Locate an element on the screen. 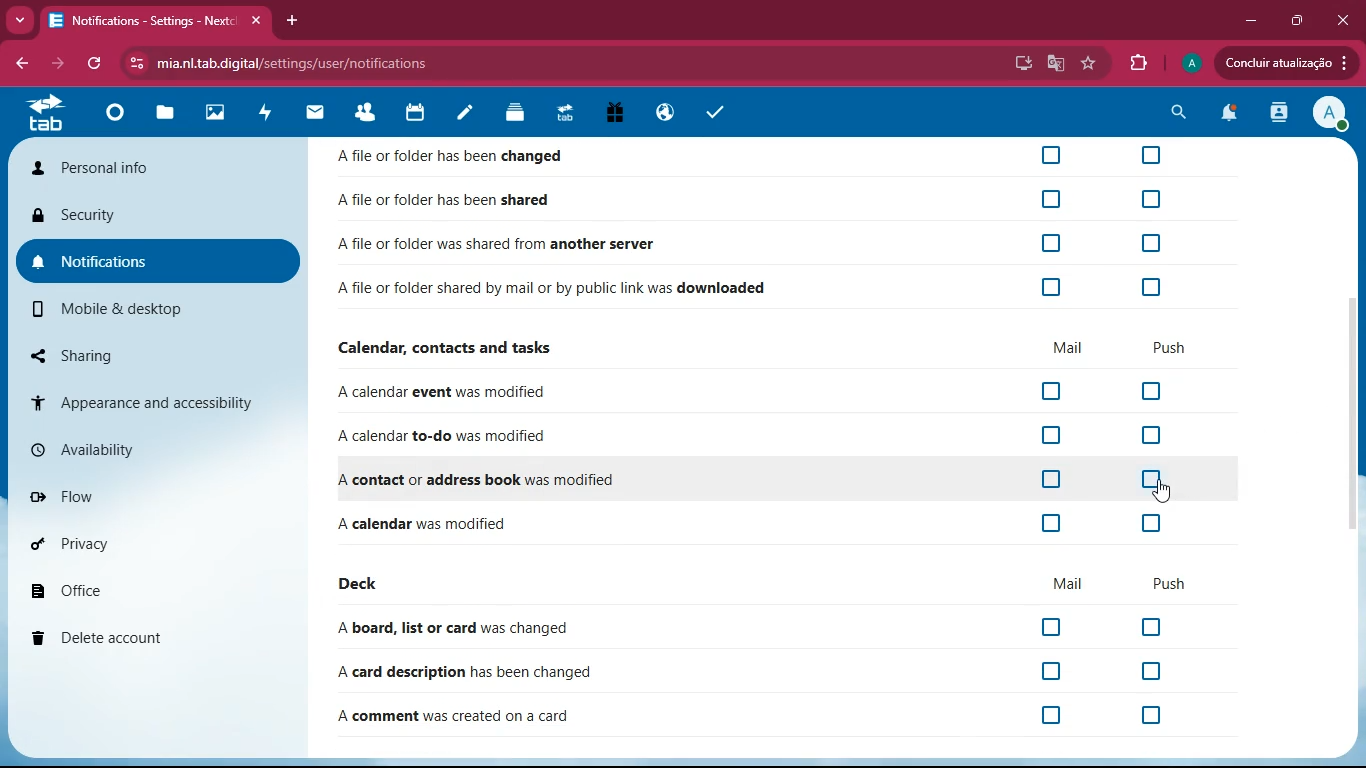 The width and height of the screenshot is (1366, 768). favourite is located at coordinates (1088, 63).